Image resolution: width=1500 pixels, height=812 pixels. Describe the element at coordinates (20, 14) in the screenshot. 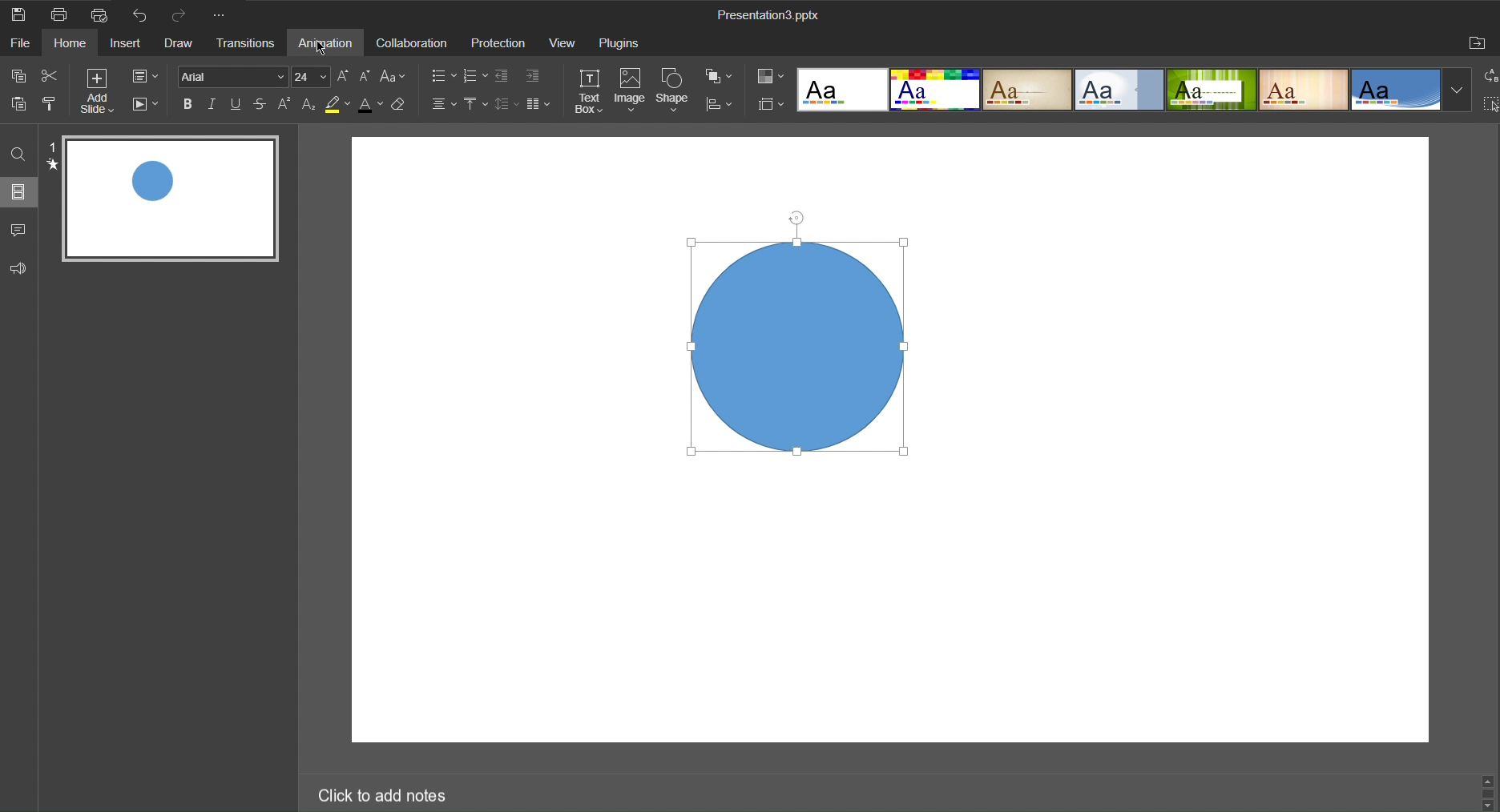

I see `Save` at that location.